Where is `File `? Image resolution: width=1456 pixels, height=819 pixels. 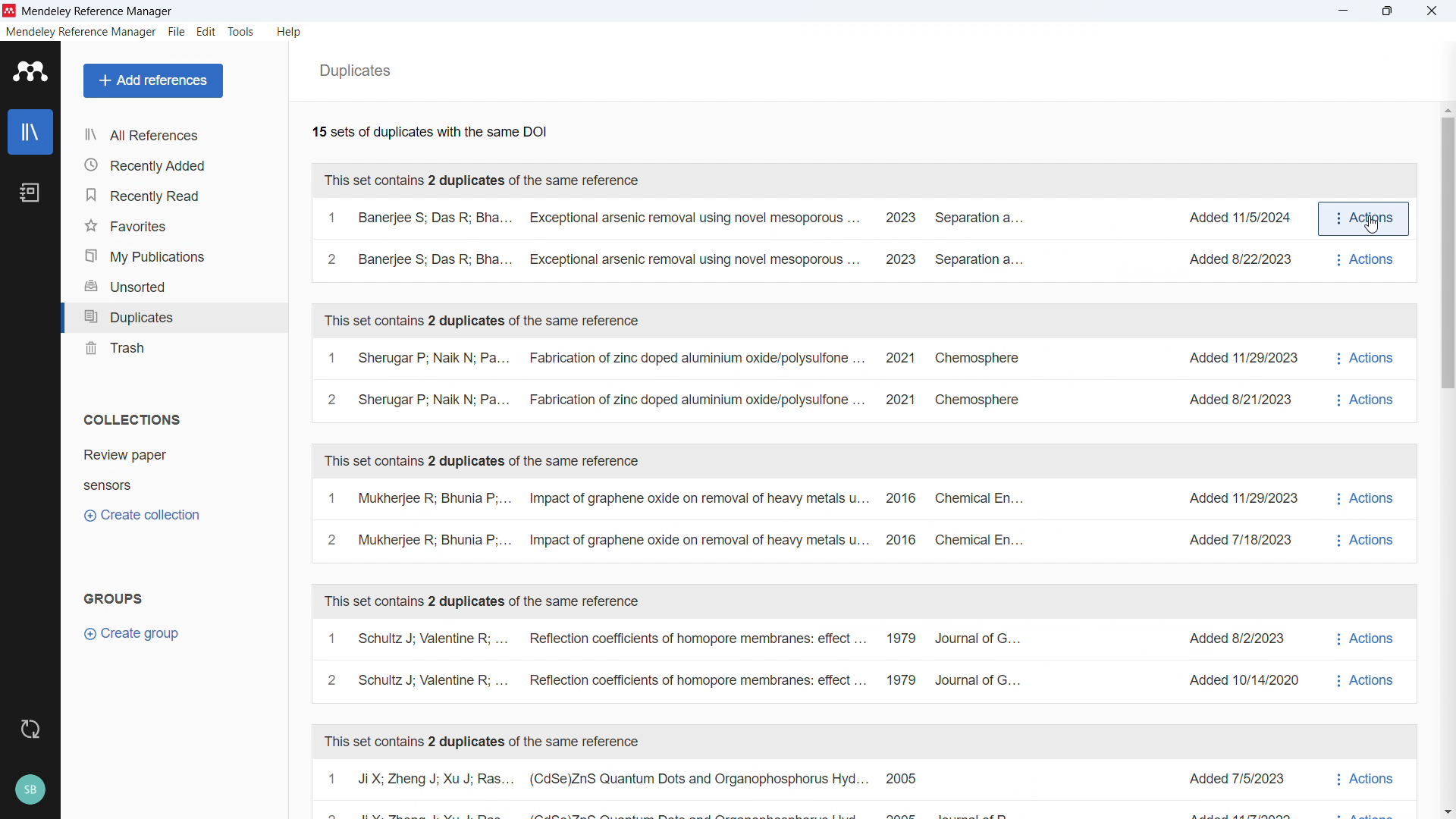 File  is located at coordinates (177, 31).